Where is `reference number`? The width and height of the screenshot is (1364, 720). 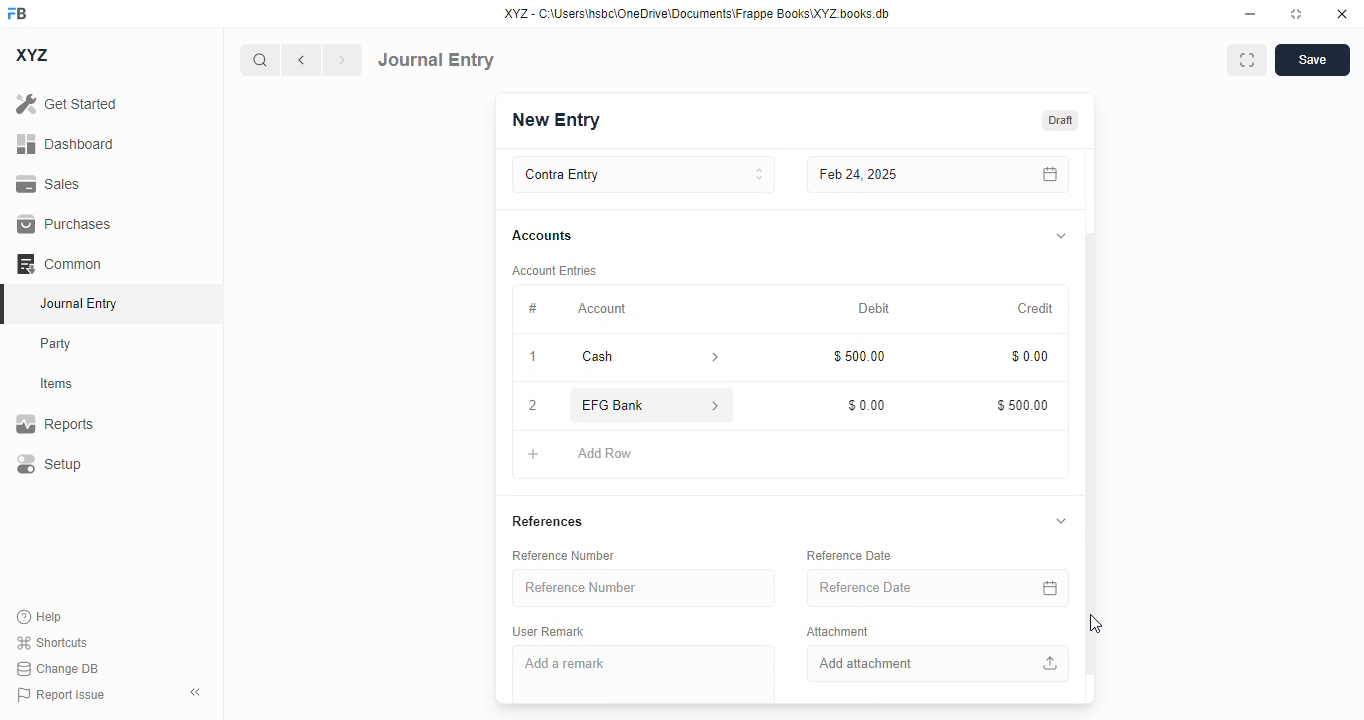
reference number is located at coordinates (645, 588).